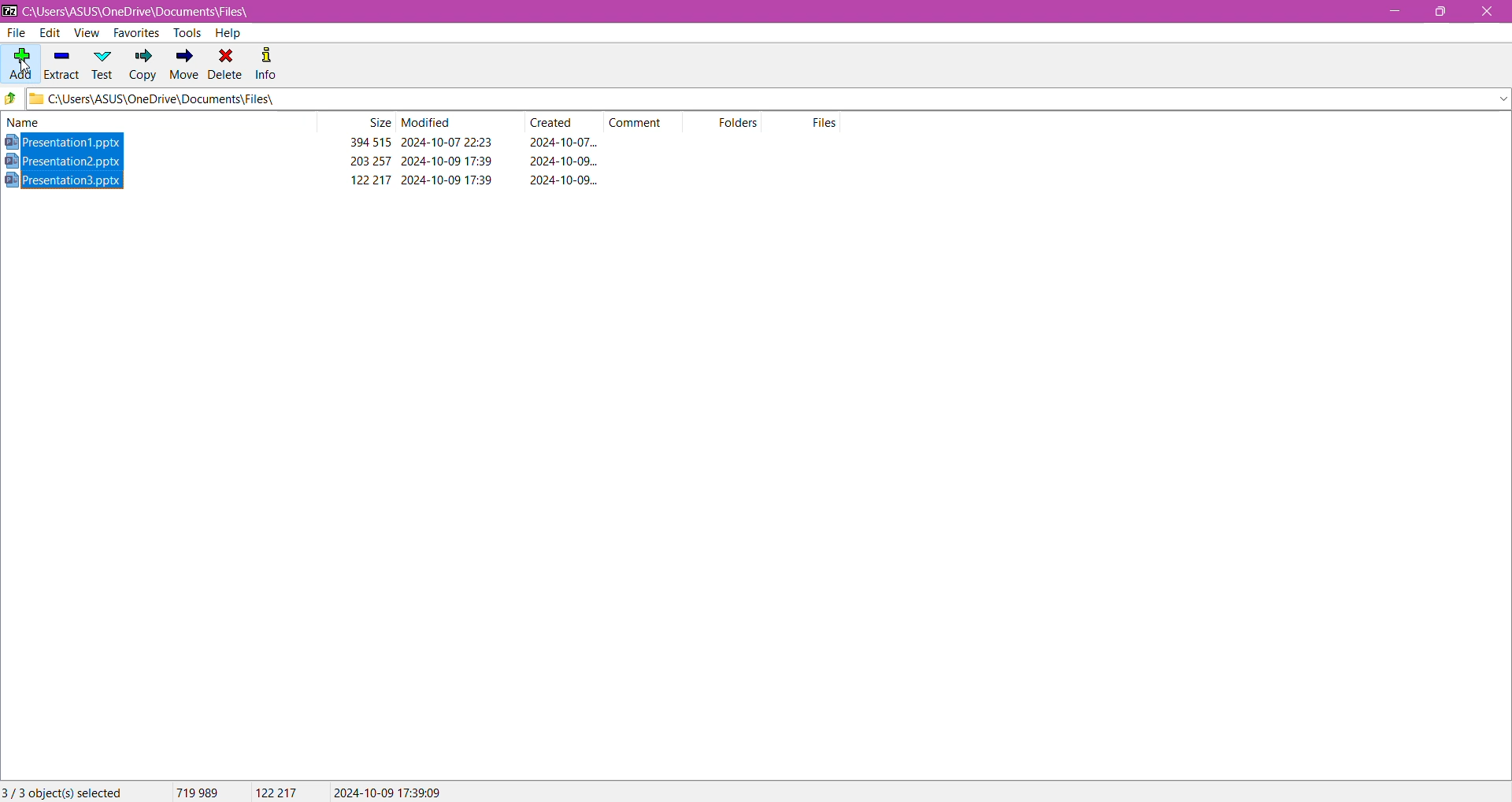 This screenshot has height=802, width=1512. What do you see at coordinates (226, 63) in the screenshot?
I see `Delete` at bounding box center [226, 63].